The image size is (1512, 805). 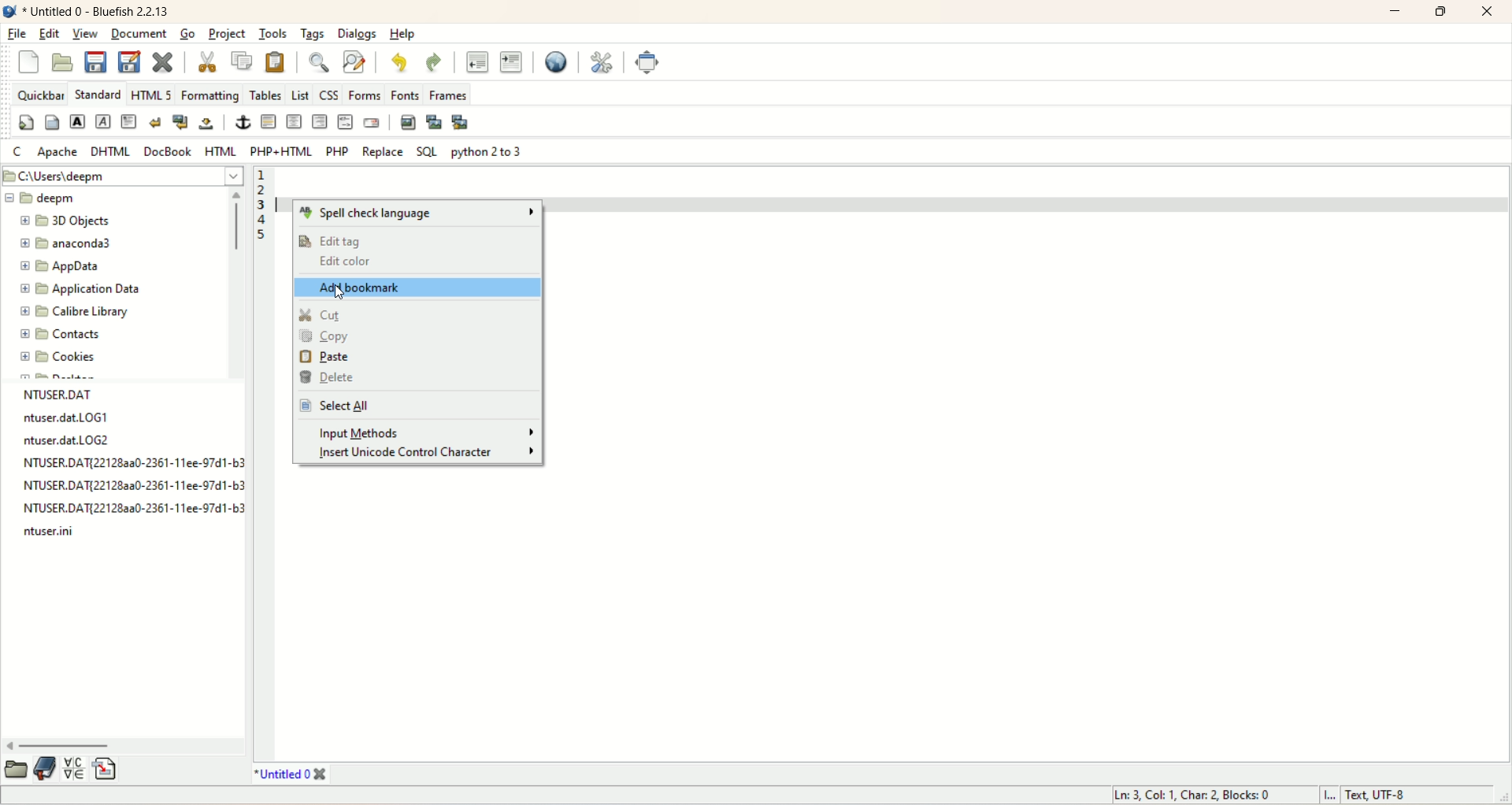 I want to click on insert special character, so click(x=75, y=769).